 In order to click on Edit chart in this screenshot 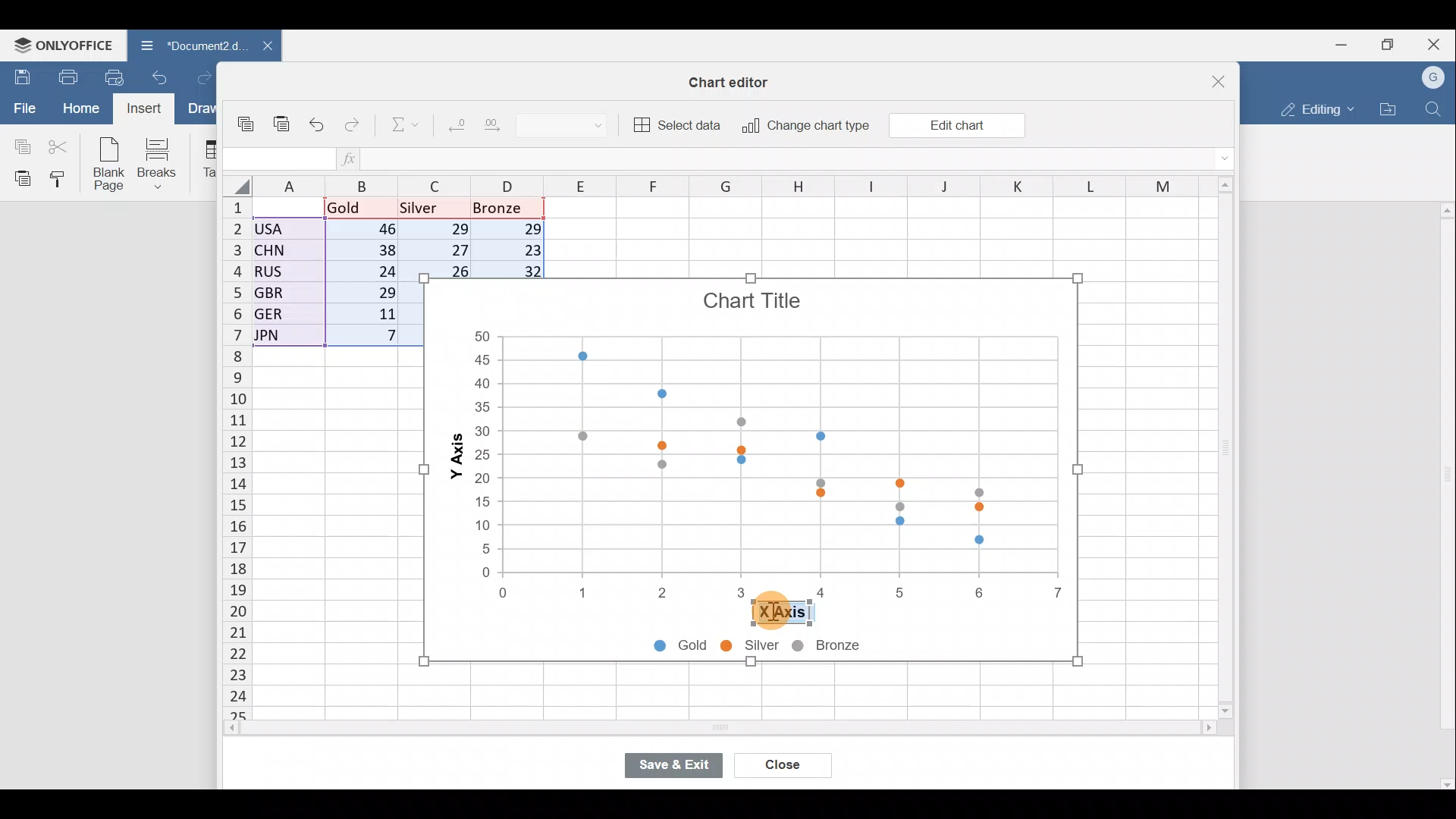, I will do `click(955, 124)`.